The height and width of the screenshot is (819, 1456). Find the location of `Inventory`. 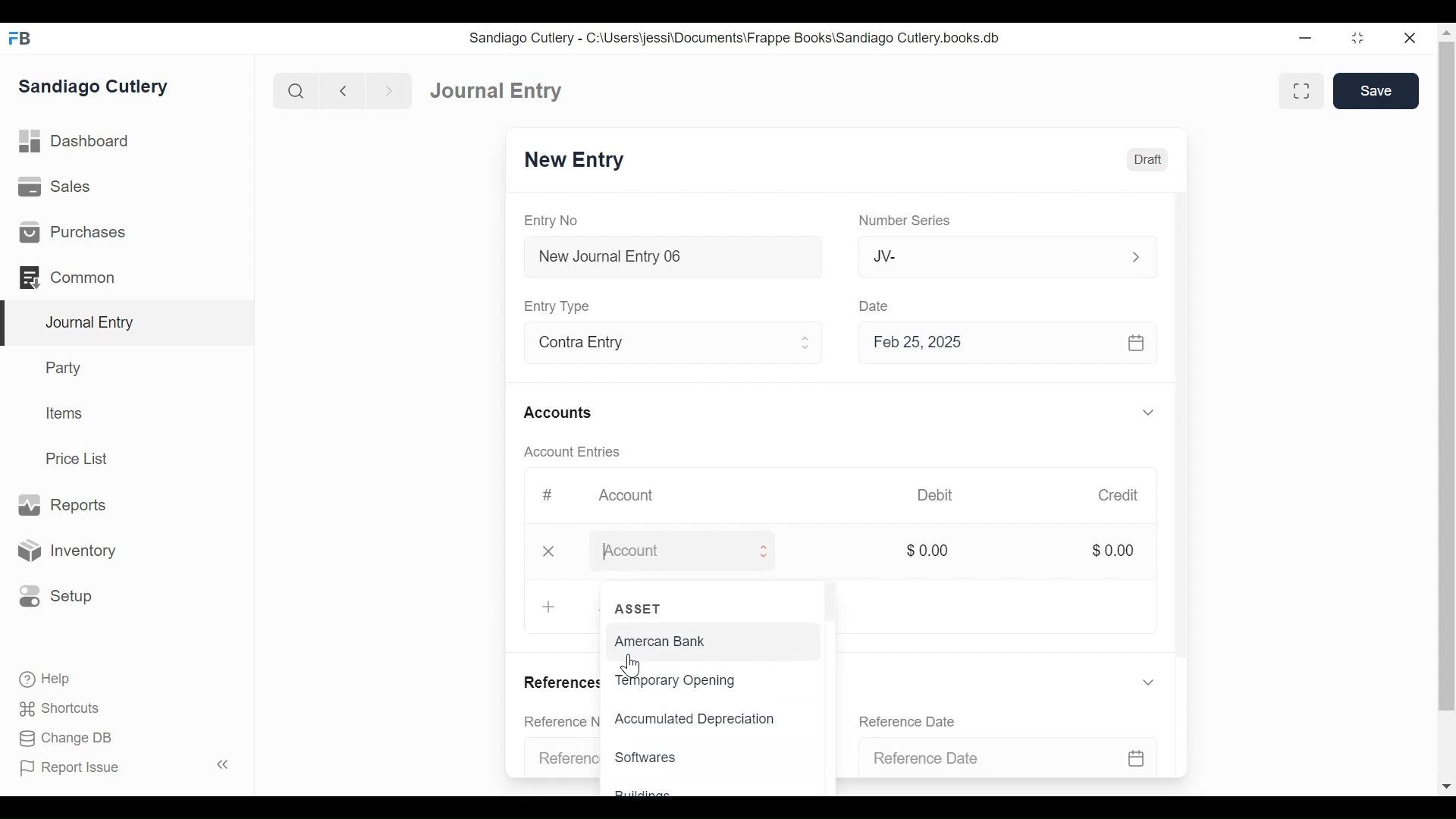

Inventory is located at coordinates (64, 551).